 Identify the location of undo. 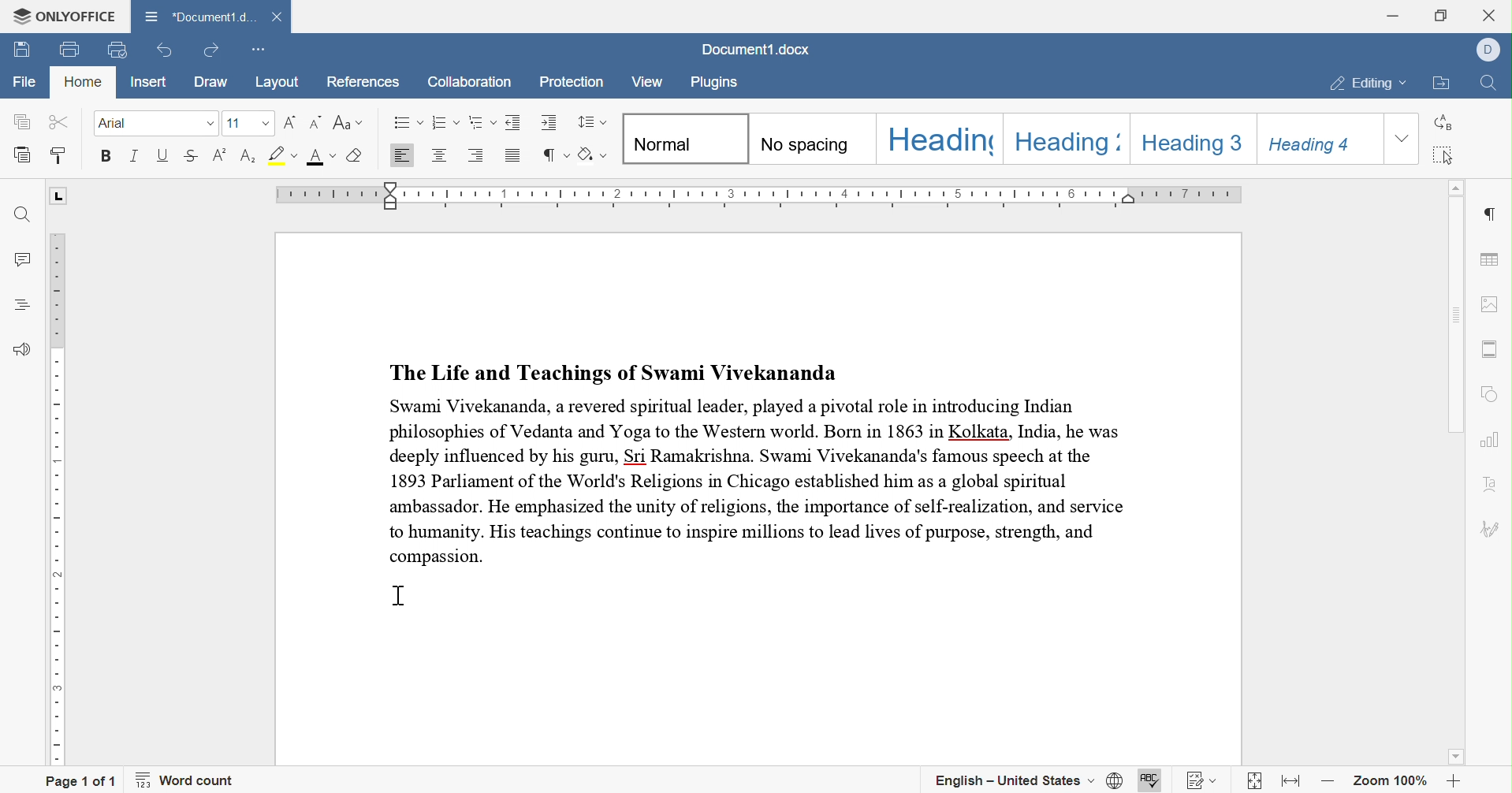
(166, 51).